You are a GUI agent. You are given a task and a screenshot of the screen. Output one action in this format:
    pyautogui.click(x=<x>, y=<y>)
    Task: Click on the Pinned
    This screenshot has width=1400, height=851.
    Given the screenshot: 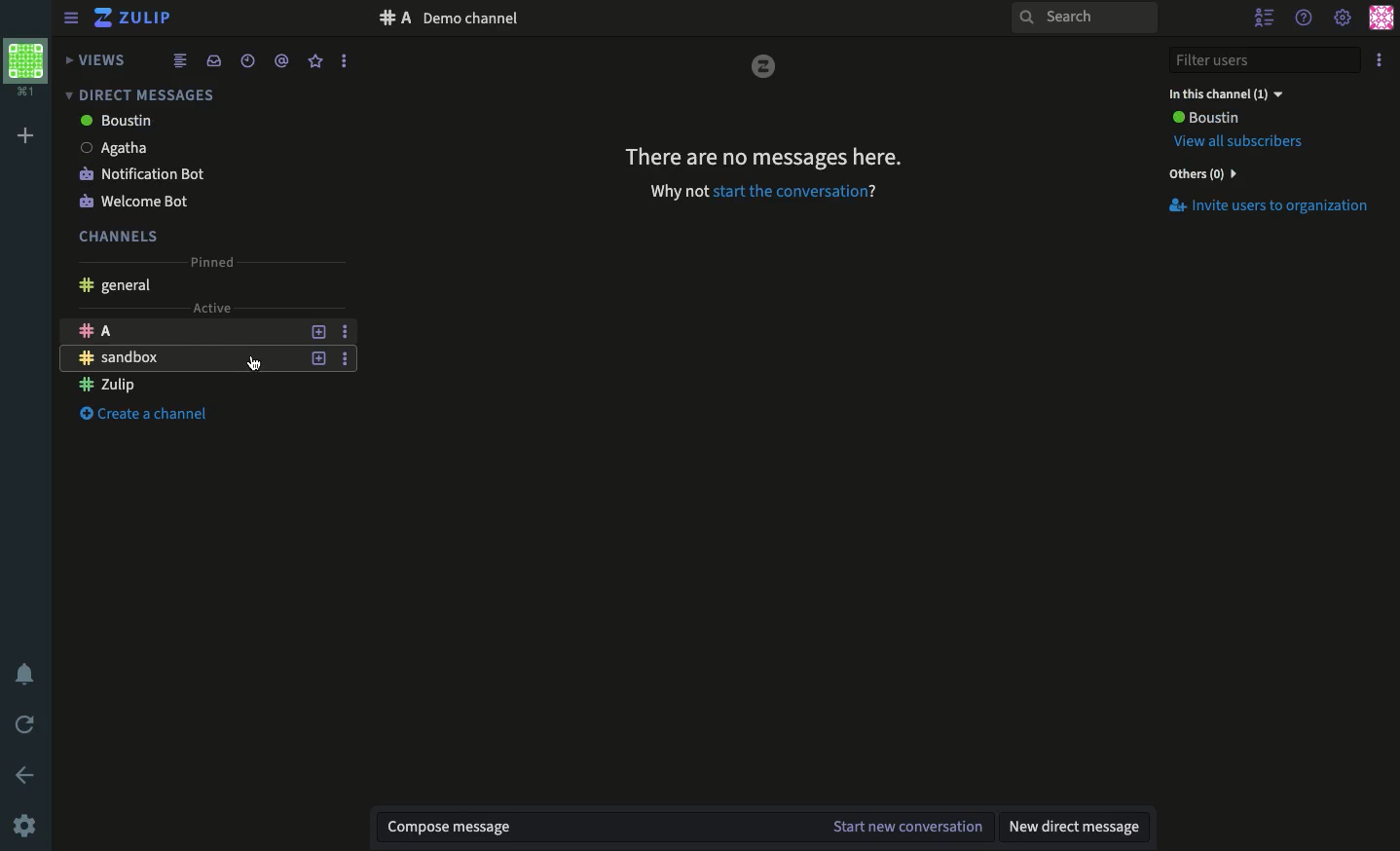 What is the action you would take?
    pyautogui.click(x=210, y=259)
    